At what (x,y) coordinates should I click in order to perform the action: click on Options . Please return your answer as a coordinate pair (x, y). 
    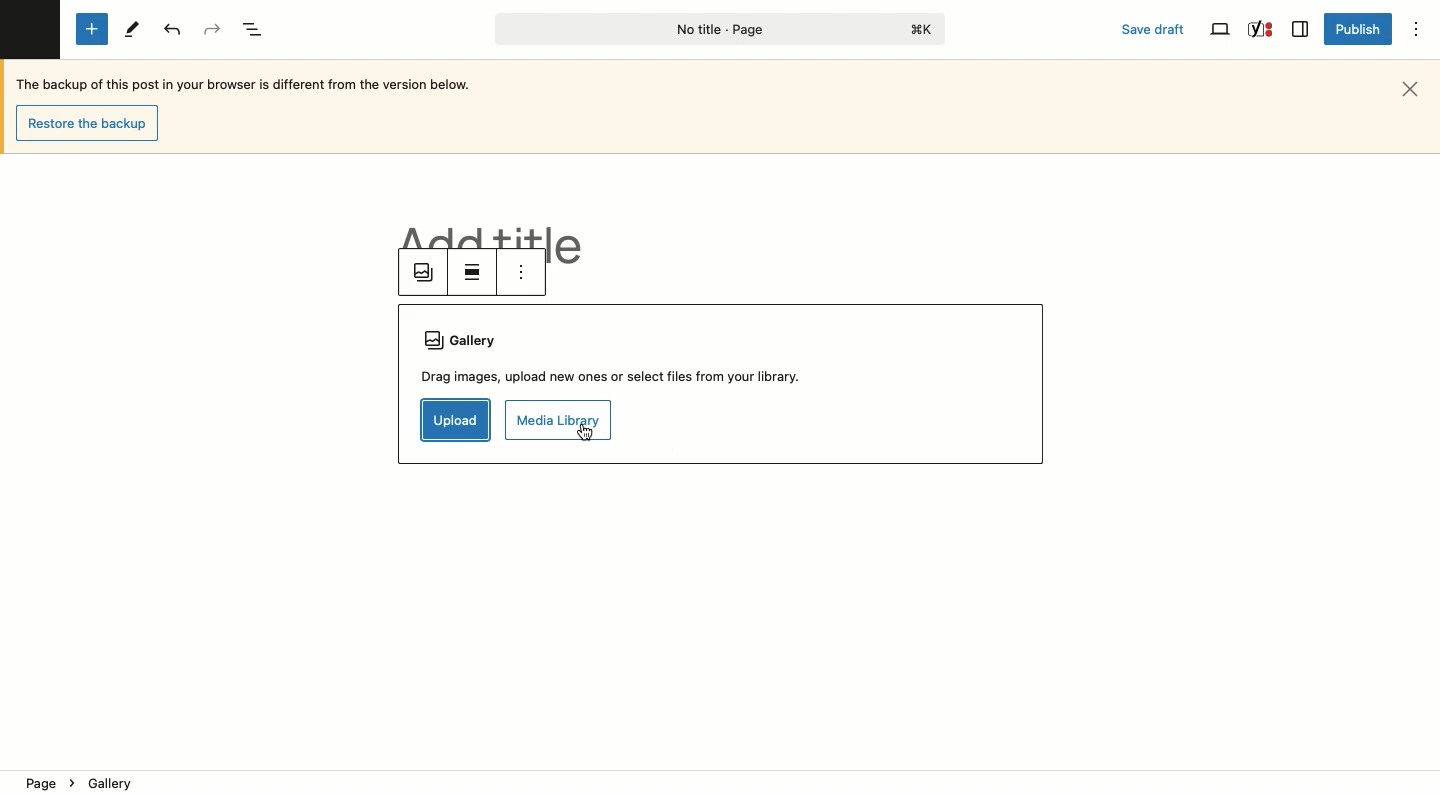
    Looking at the image, I should click on (1417, 31).